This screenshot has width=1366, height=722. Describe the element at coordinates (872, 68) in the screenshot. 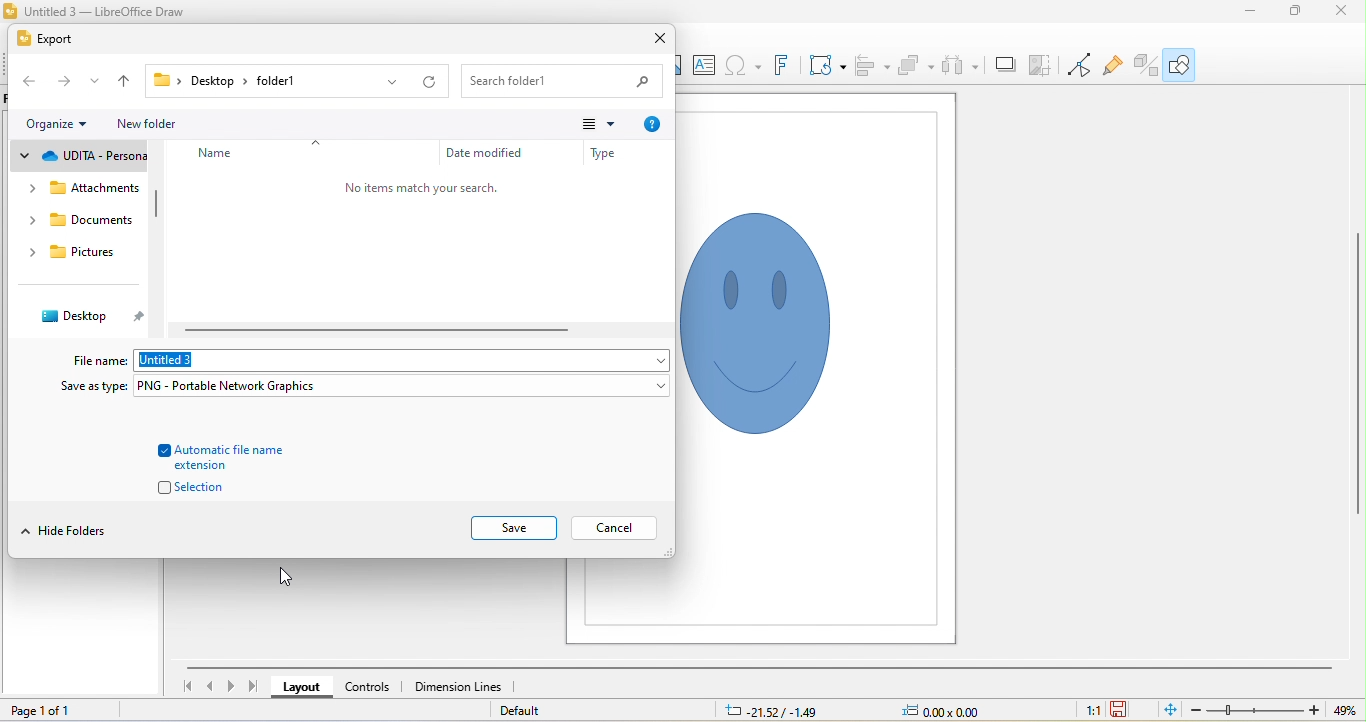

I see `align objects` at that location.